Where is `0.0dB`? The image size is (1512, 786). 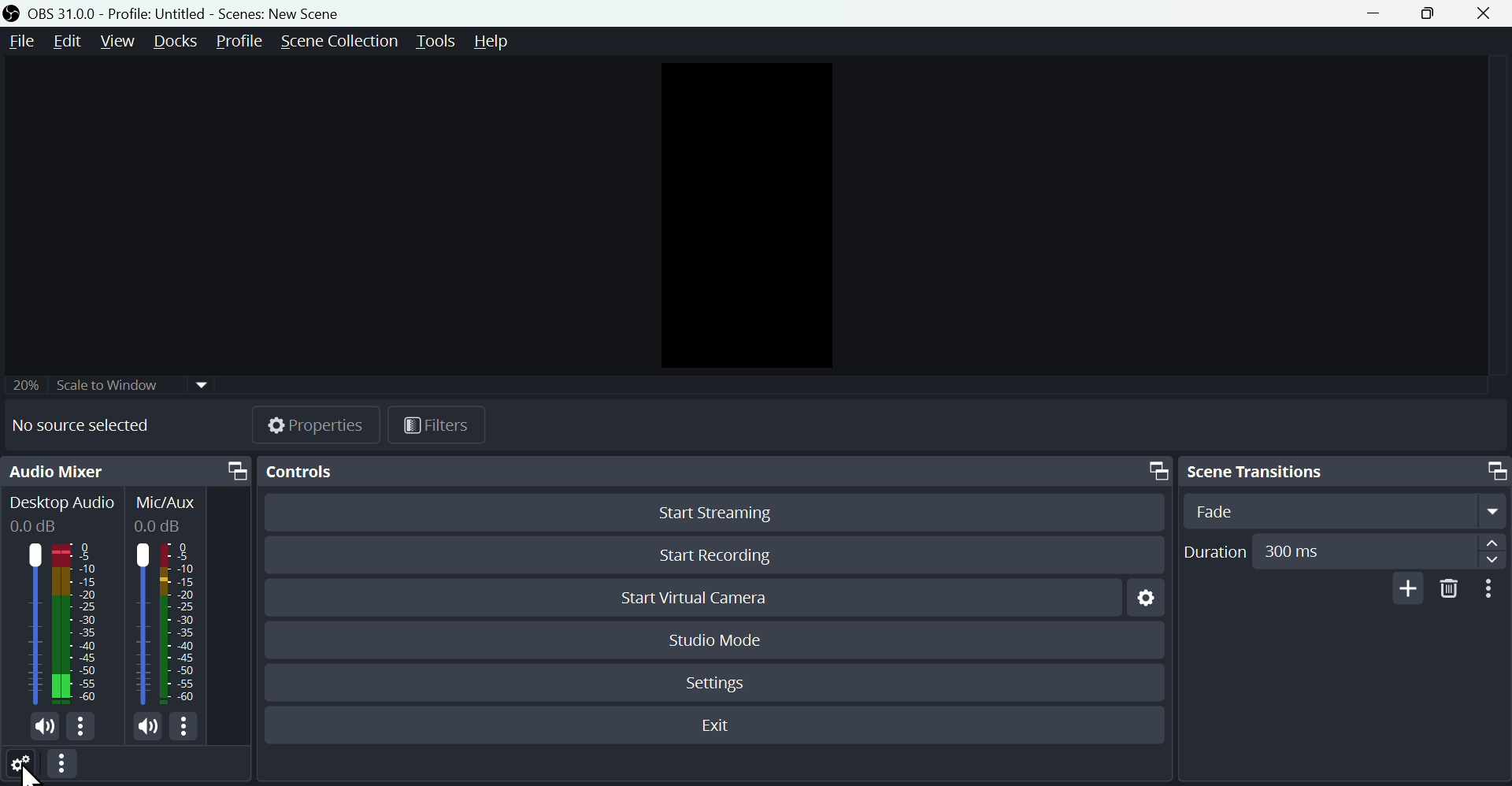
0.0dB is located at coordinates (35, 528).